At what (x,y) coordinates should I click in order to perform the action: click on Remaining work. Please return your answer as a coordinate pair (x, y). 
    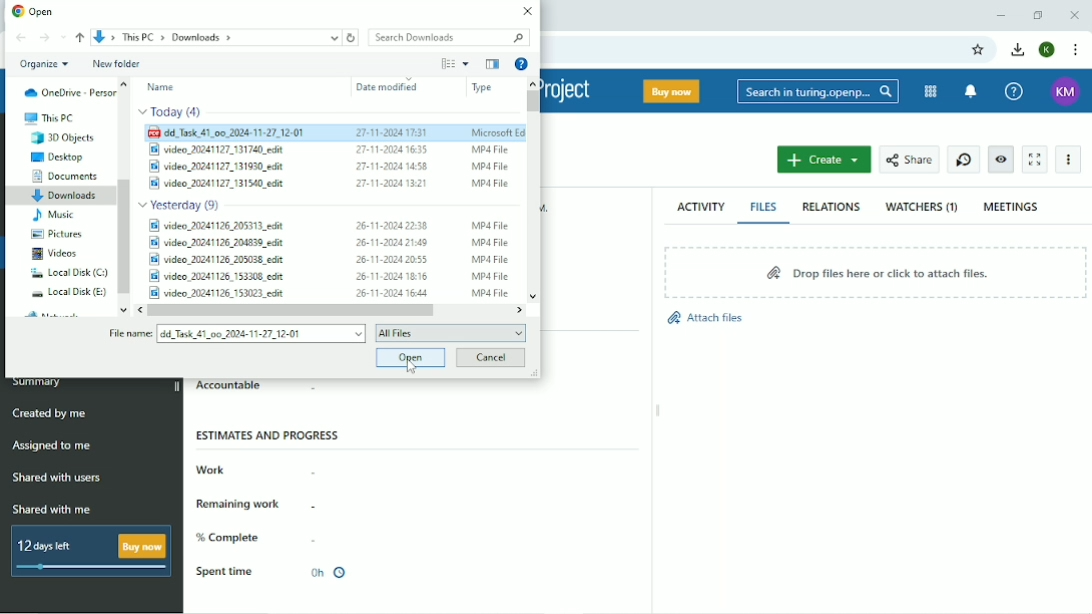
    Looking at the image, I should click on (242, 503).